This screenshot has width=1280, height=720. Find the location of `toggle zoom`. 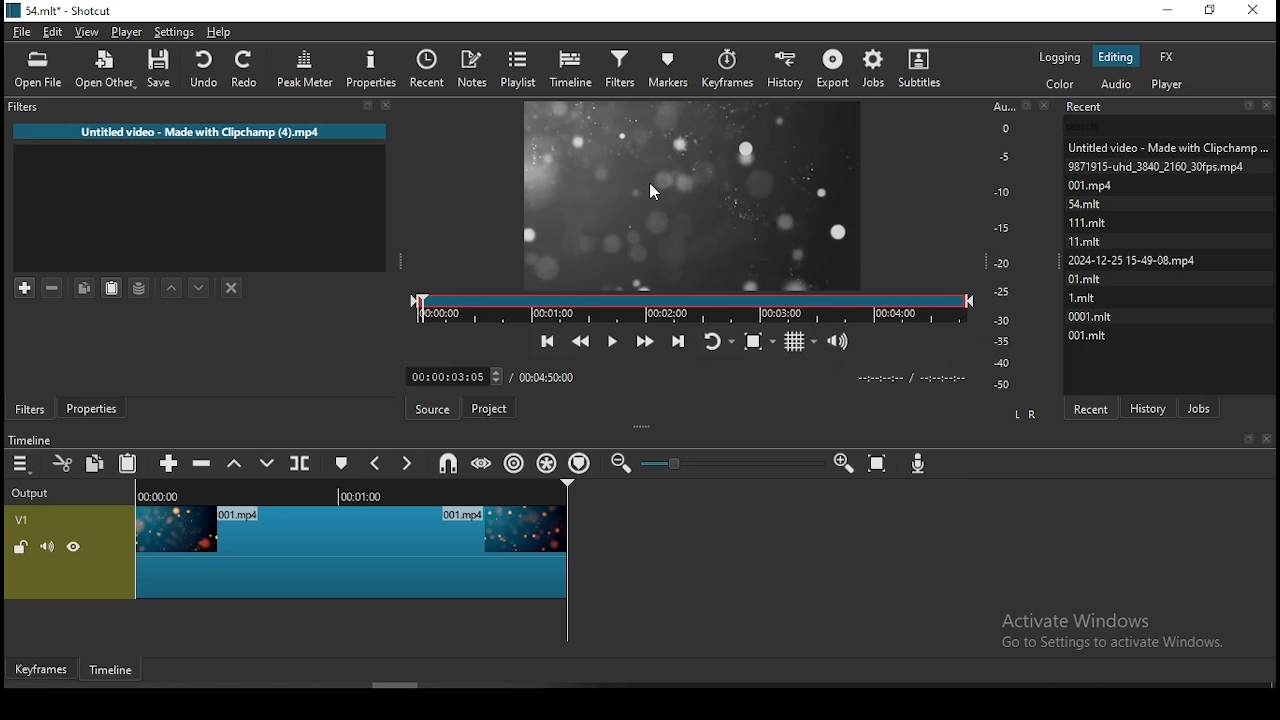

toggle zoom is located at coordinates (759, 343).